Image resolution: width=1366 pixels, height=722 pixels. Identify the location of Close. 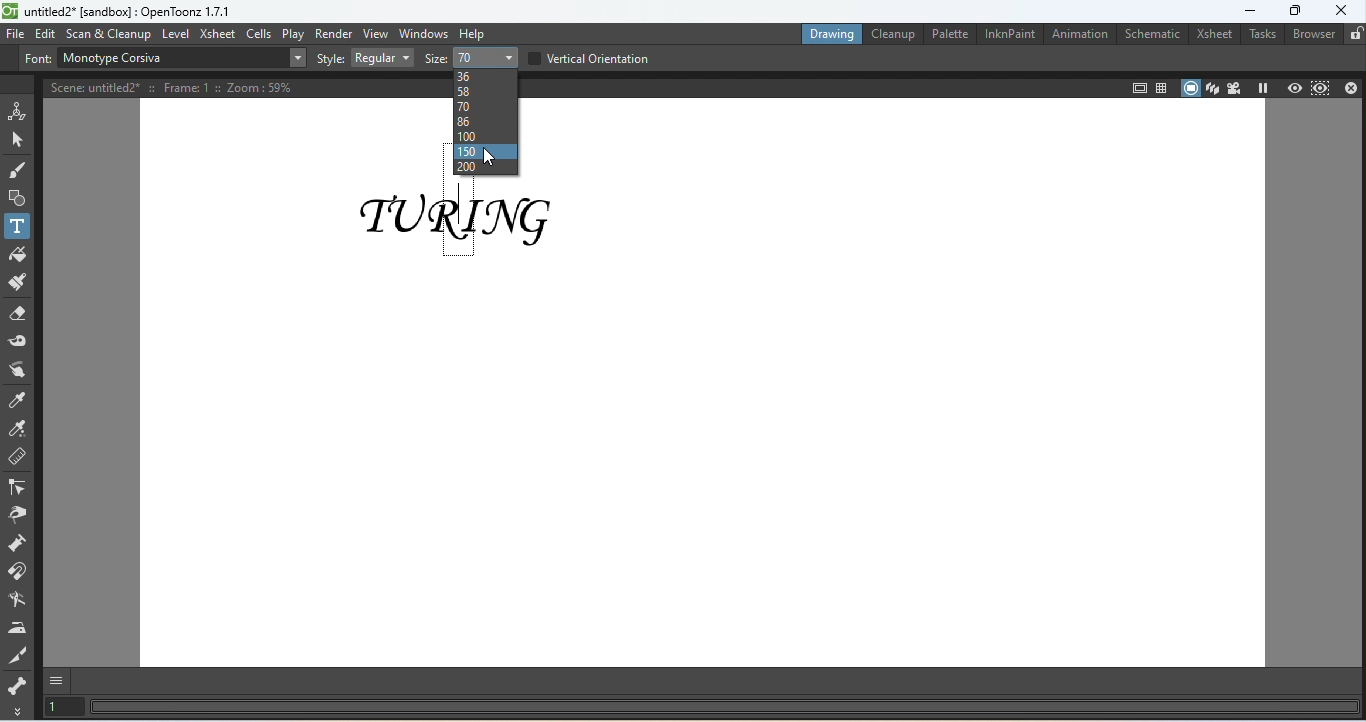
(1350, 87).